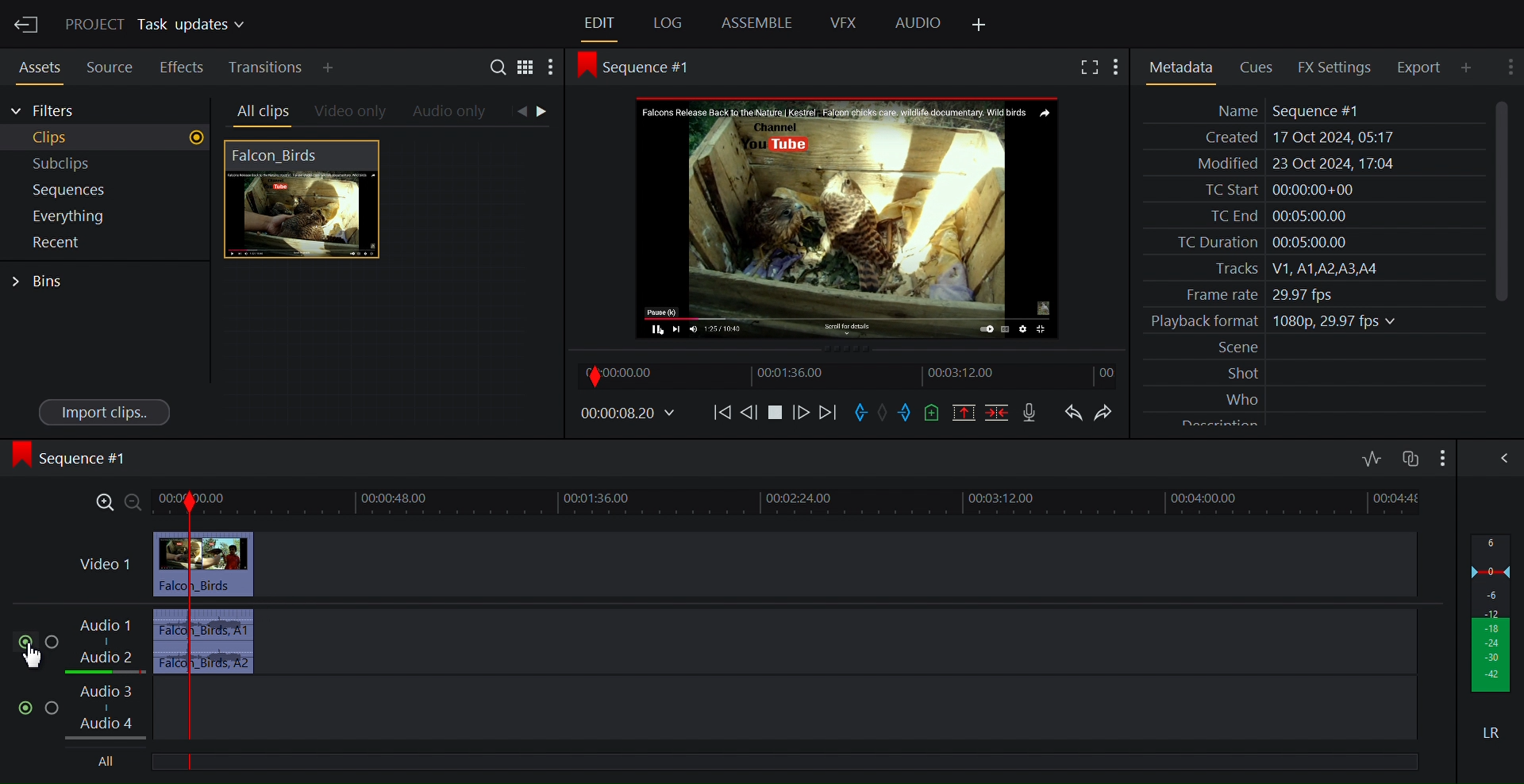 The width and height of the screenshot is (1524, 784). Describe the element at coordinates (1307, 292) in the screenshot. I see `Frame rate` at that location.